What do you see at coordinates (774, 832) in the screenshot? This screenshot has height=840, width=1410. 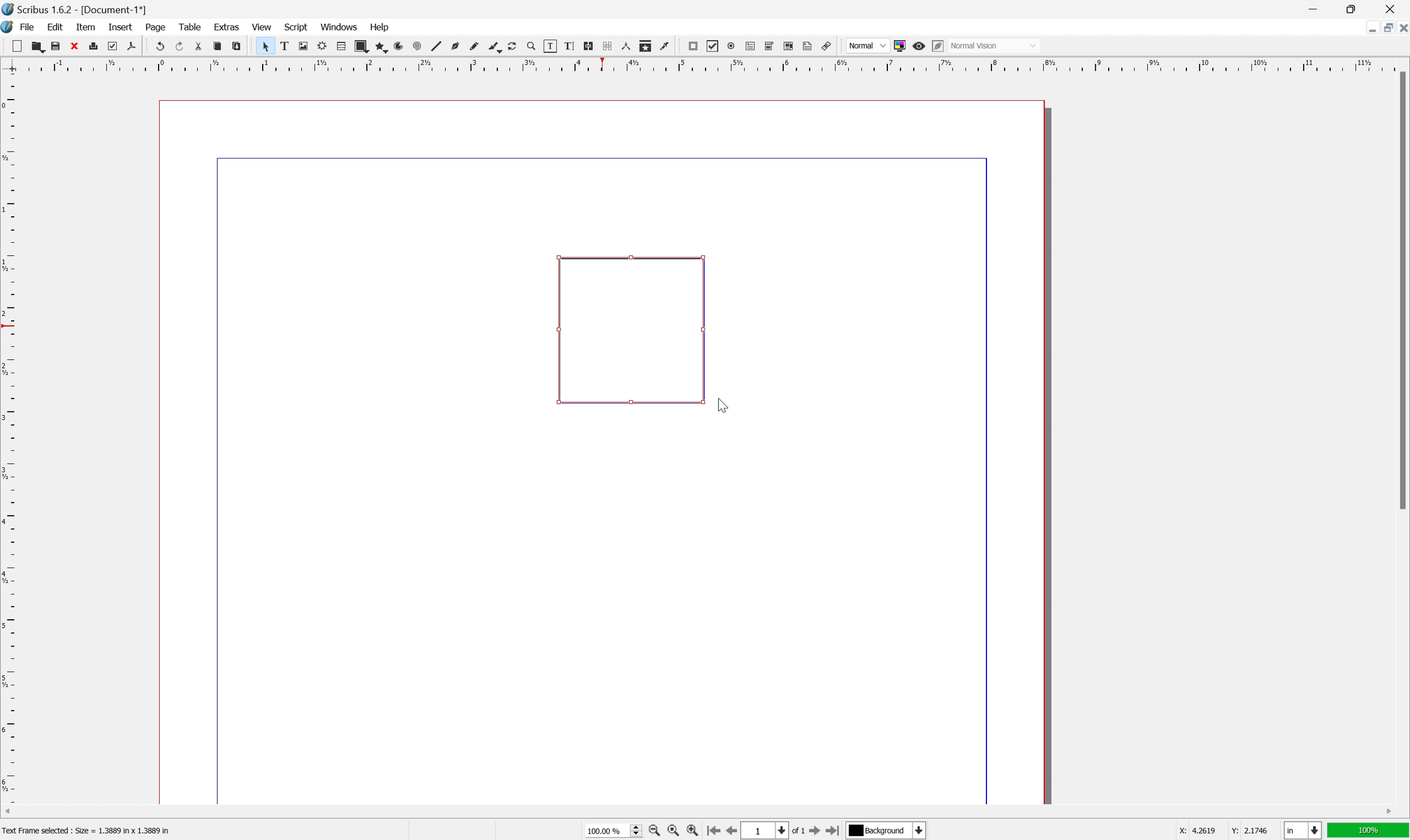 I see `select current page` at bounding box center [774, 832].